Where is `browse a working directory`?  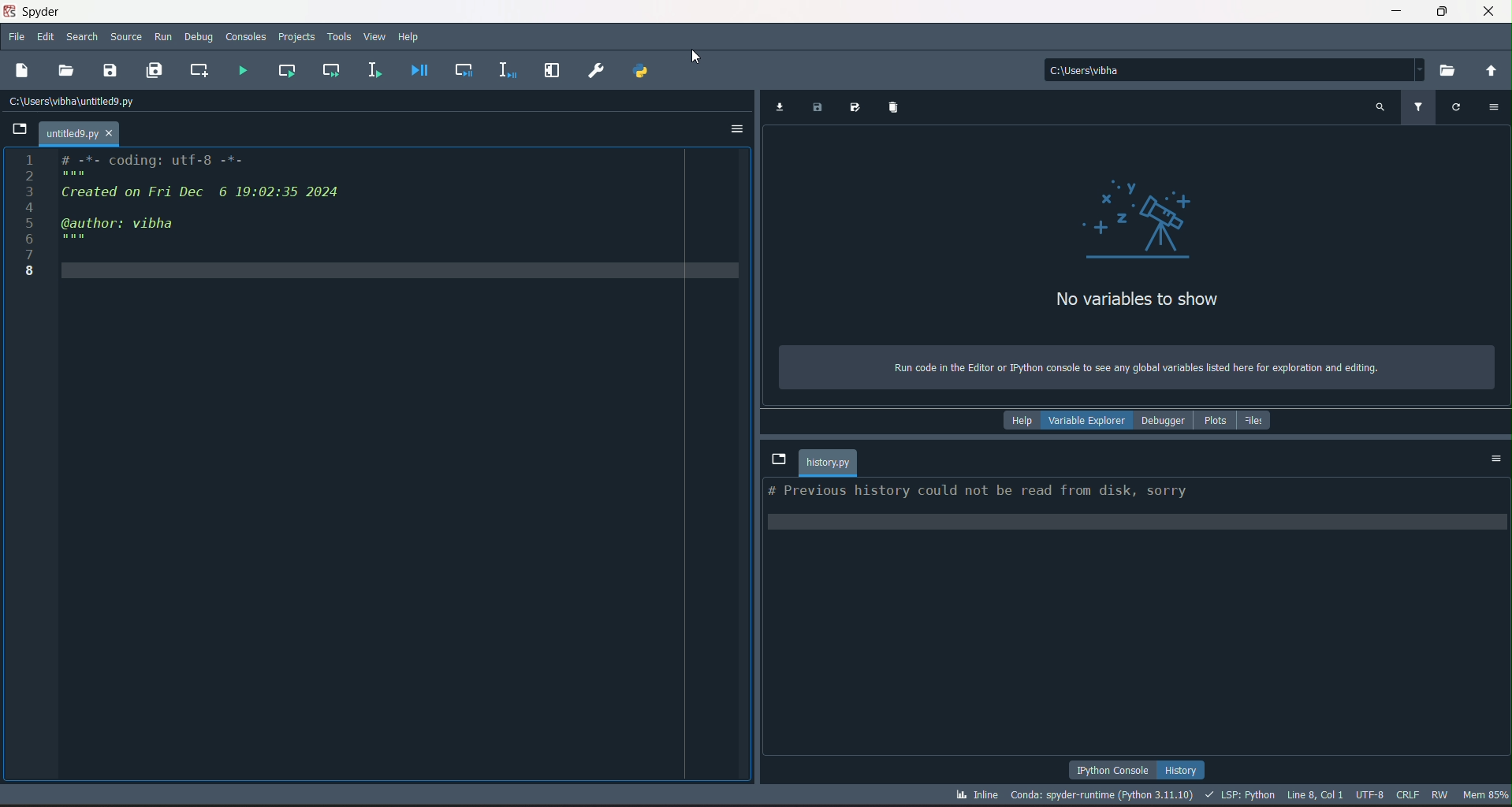
browse a working directory is located at coordinates (1449, 71).